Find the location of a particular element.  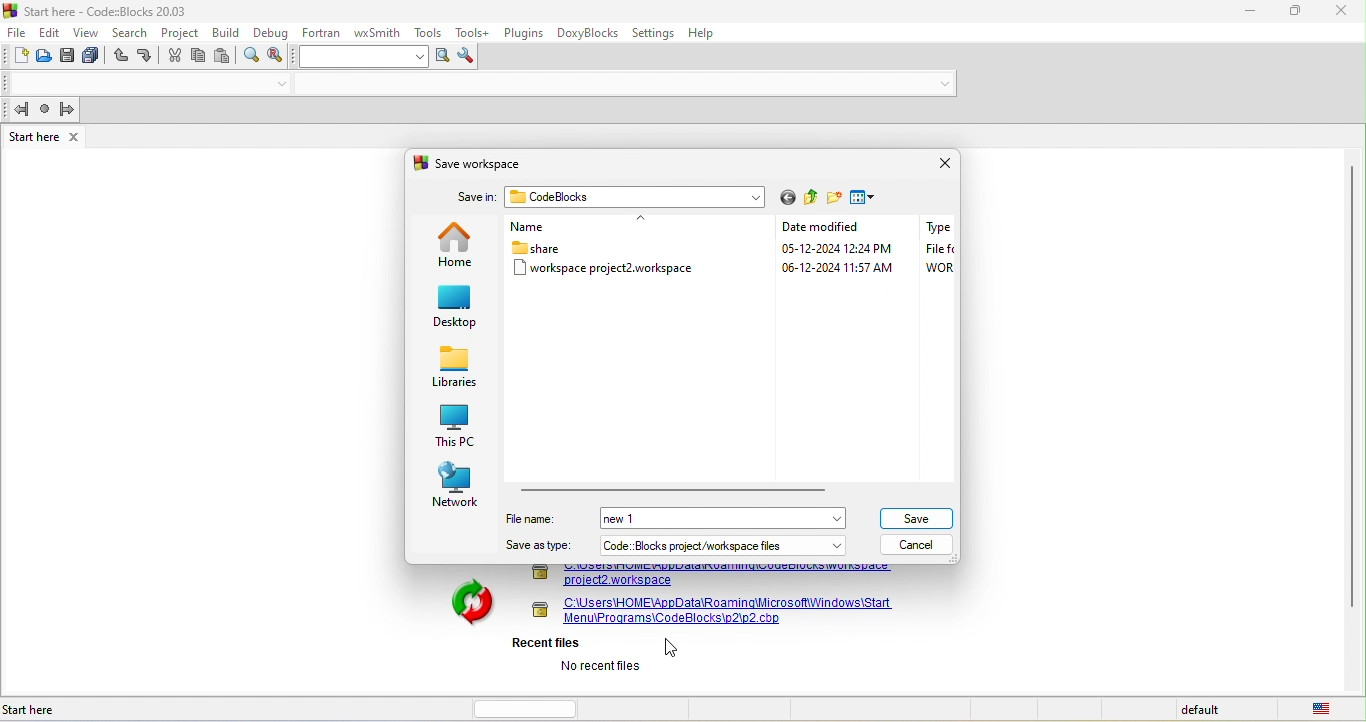

view menu is located at coordinates (867, 198).